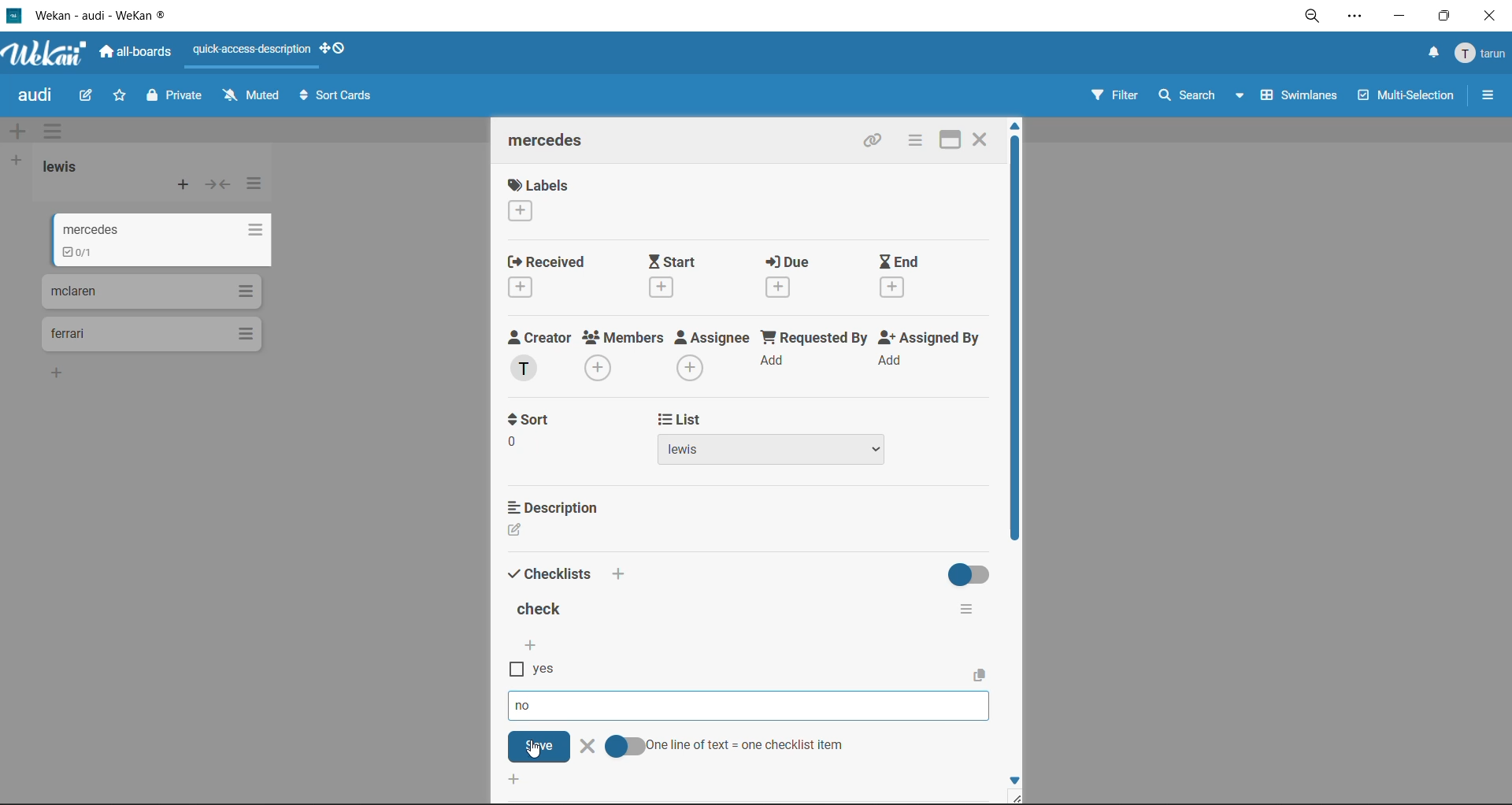 Image resolution: width=1512 pixels, height=805 pixels. Describe the element at coordinates (677, 421) in the screenshot. I see `list` at that location.